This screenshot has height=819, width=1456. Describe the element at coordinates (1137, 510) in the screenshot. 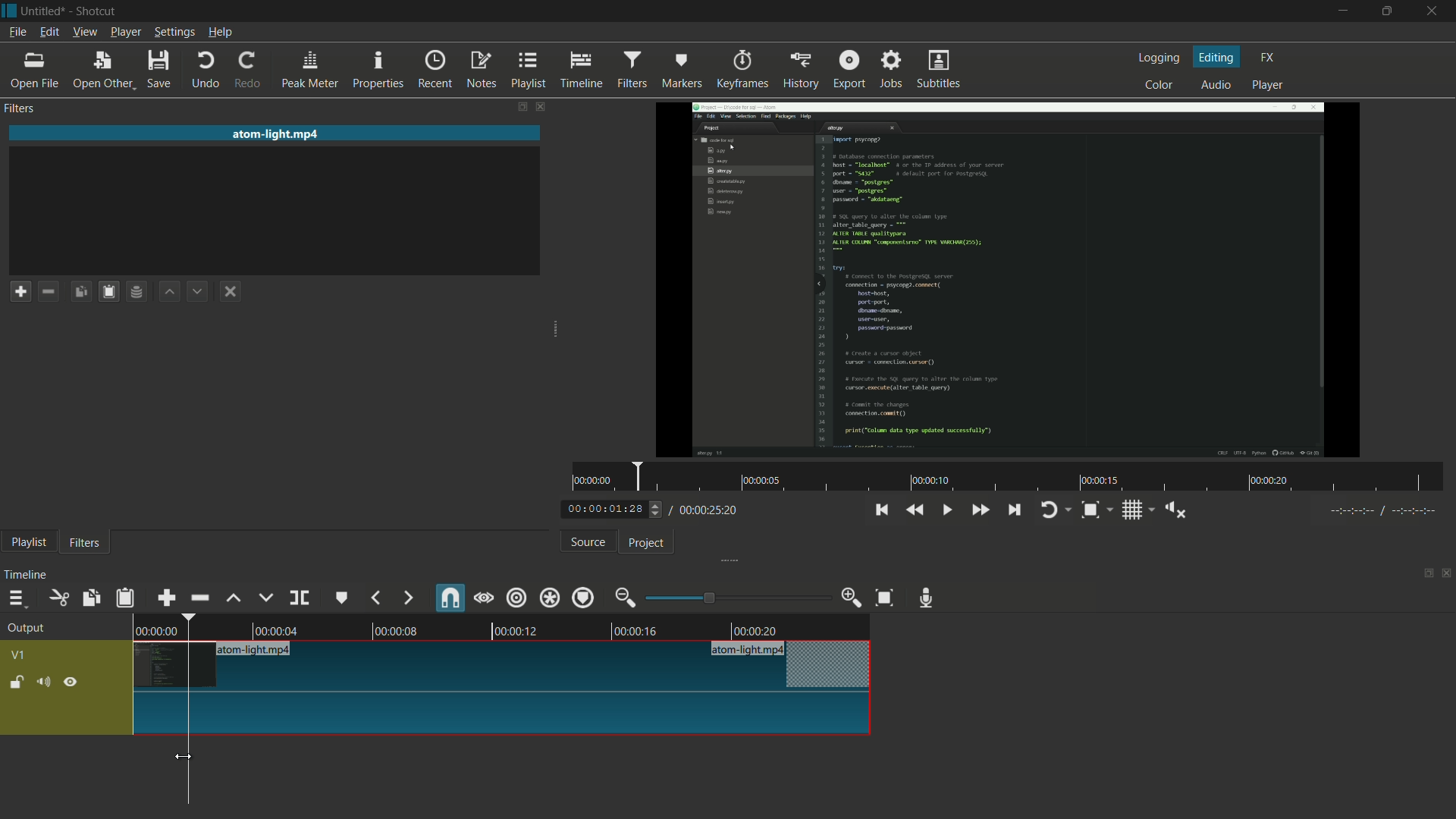

I see `toggle grid` at that location.